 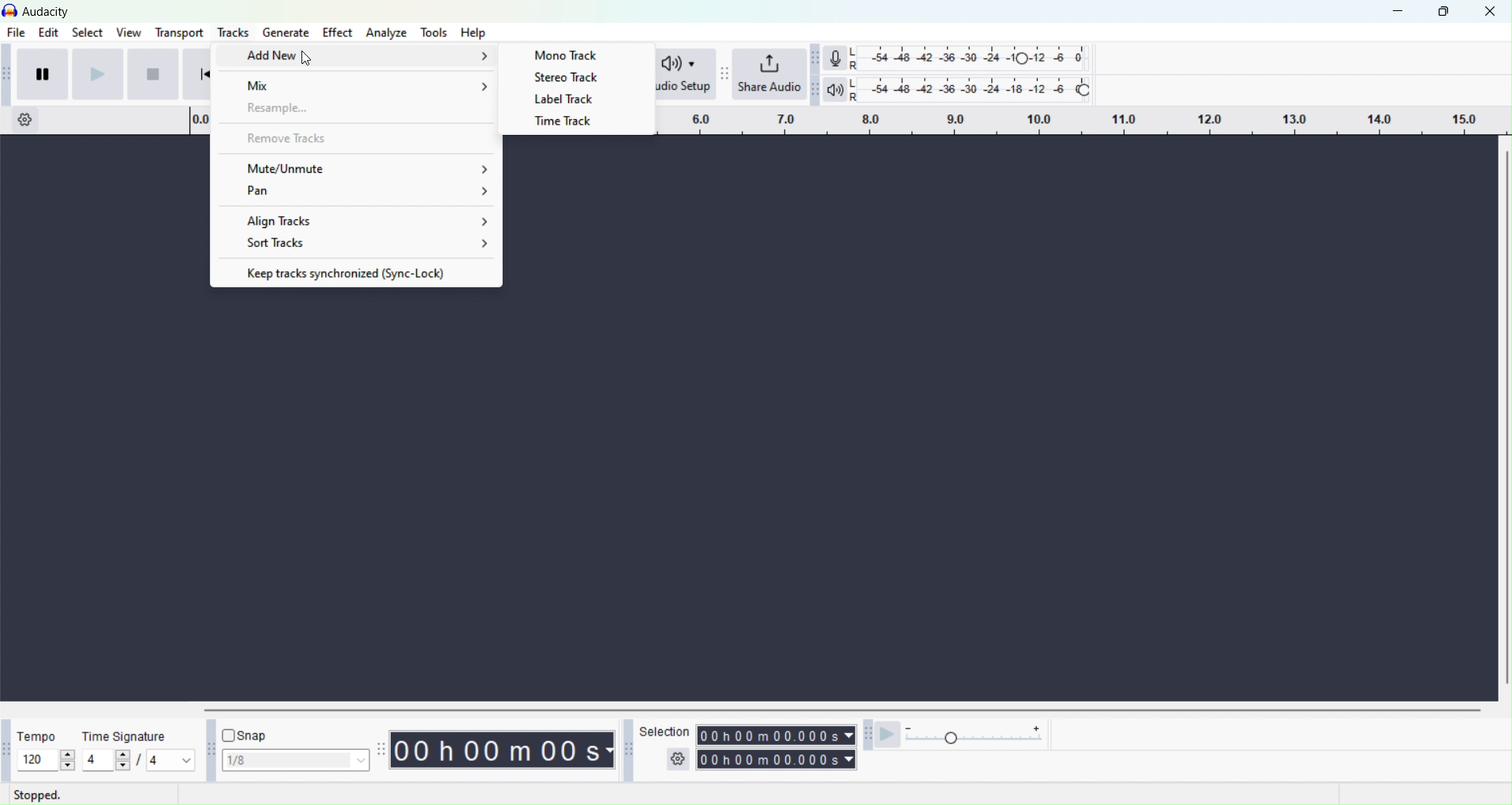 What do you see at coordinates (1400, 11) in the screenshot?
I see `Minimize` at bounding box center [1400, 11].